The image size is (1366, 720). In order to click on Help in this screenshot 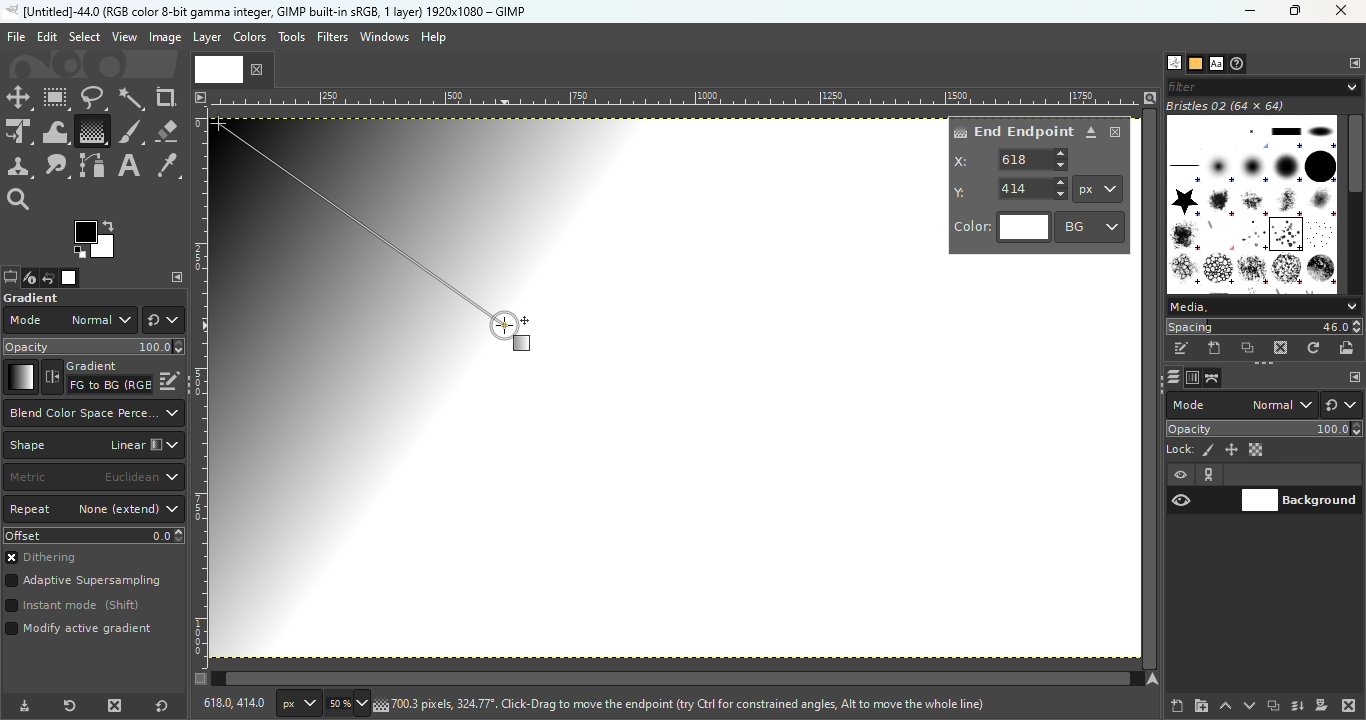, I will do `click(436, 37)`.